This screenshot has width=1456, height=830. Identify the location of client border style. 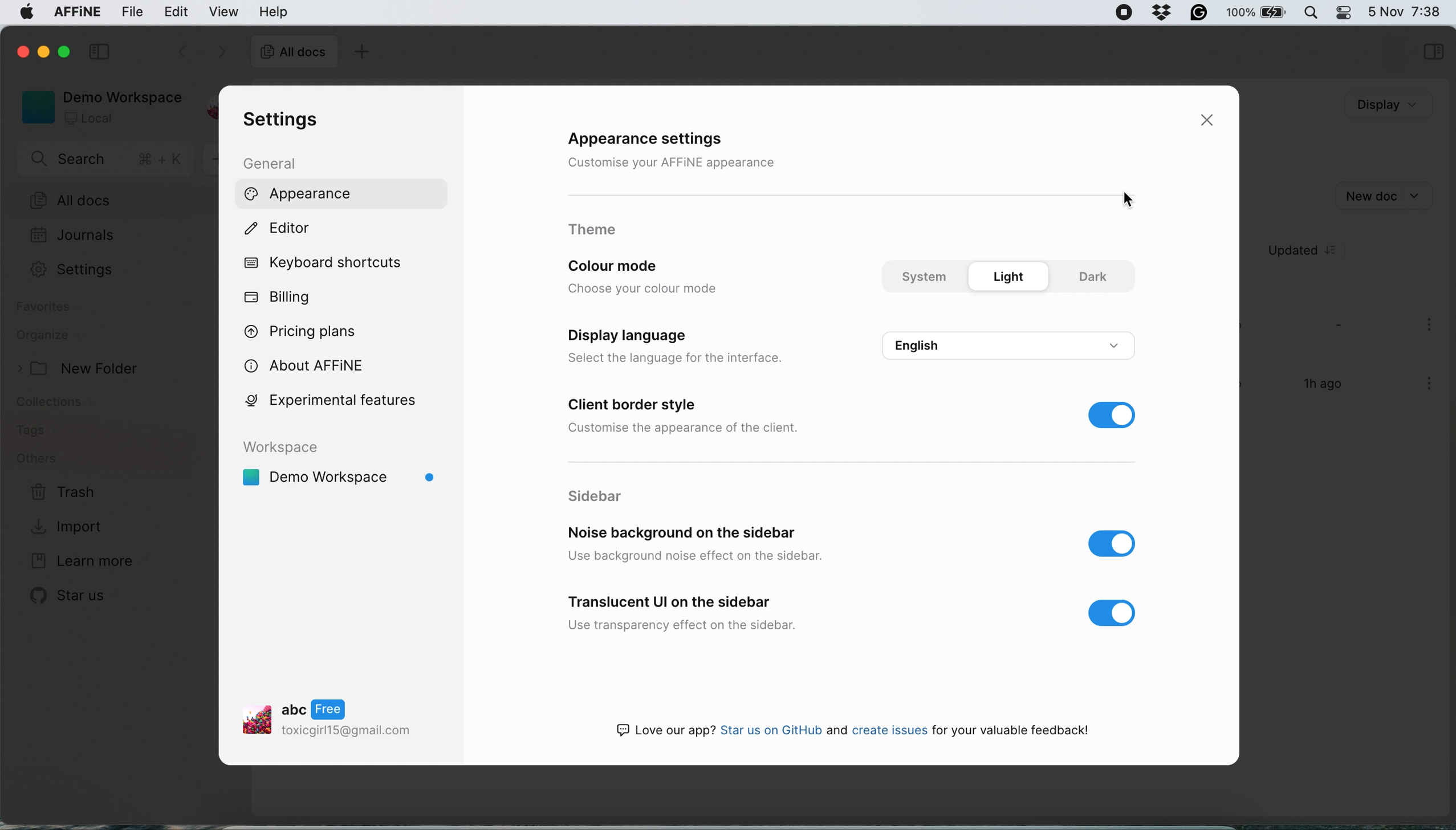
(634, 405).